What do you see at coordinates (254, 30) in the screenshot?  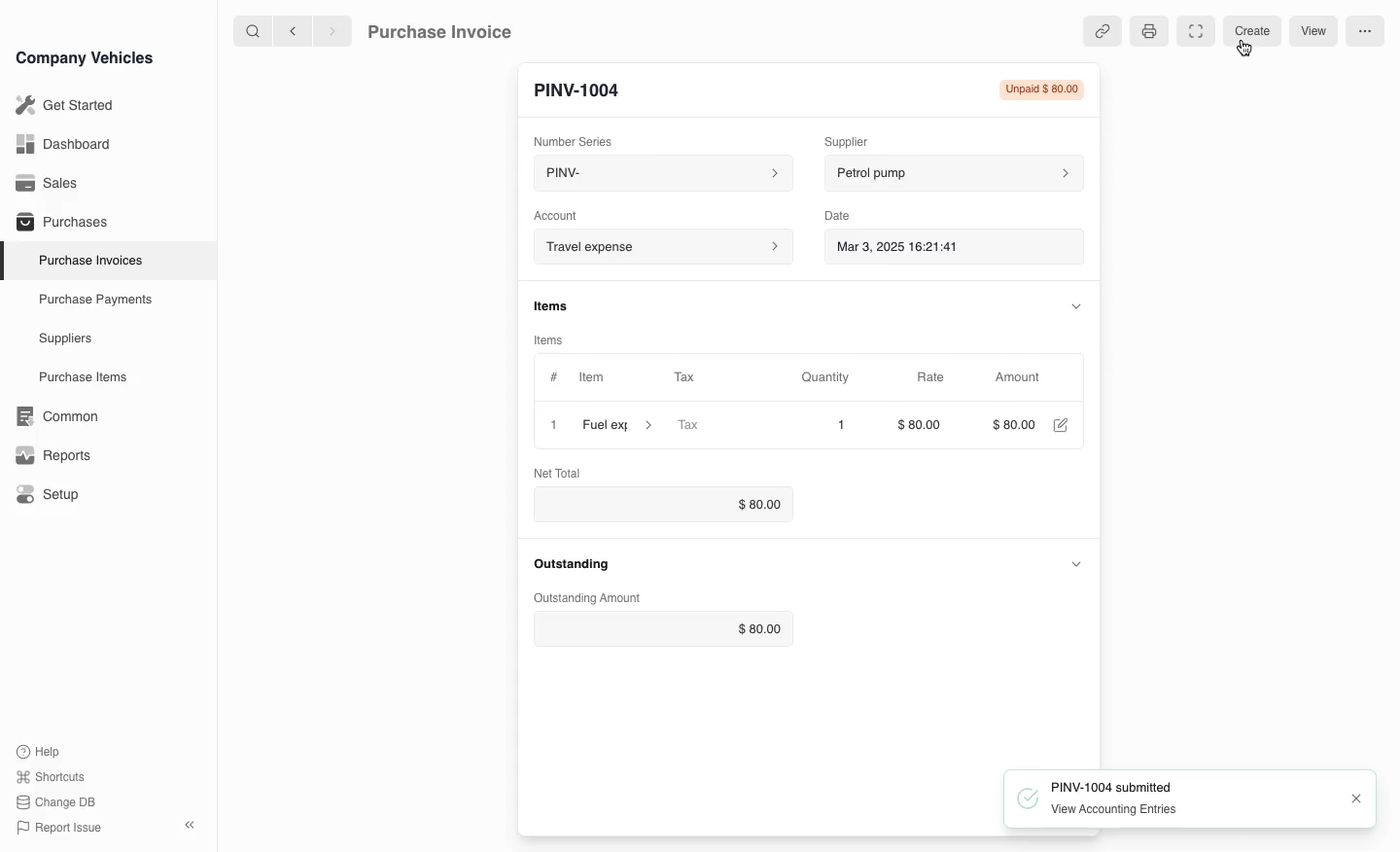 I see `search` at bounding box center [254, 30].